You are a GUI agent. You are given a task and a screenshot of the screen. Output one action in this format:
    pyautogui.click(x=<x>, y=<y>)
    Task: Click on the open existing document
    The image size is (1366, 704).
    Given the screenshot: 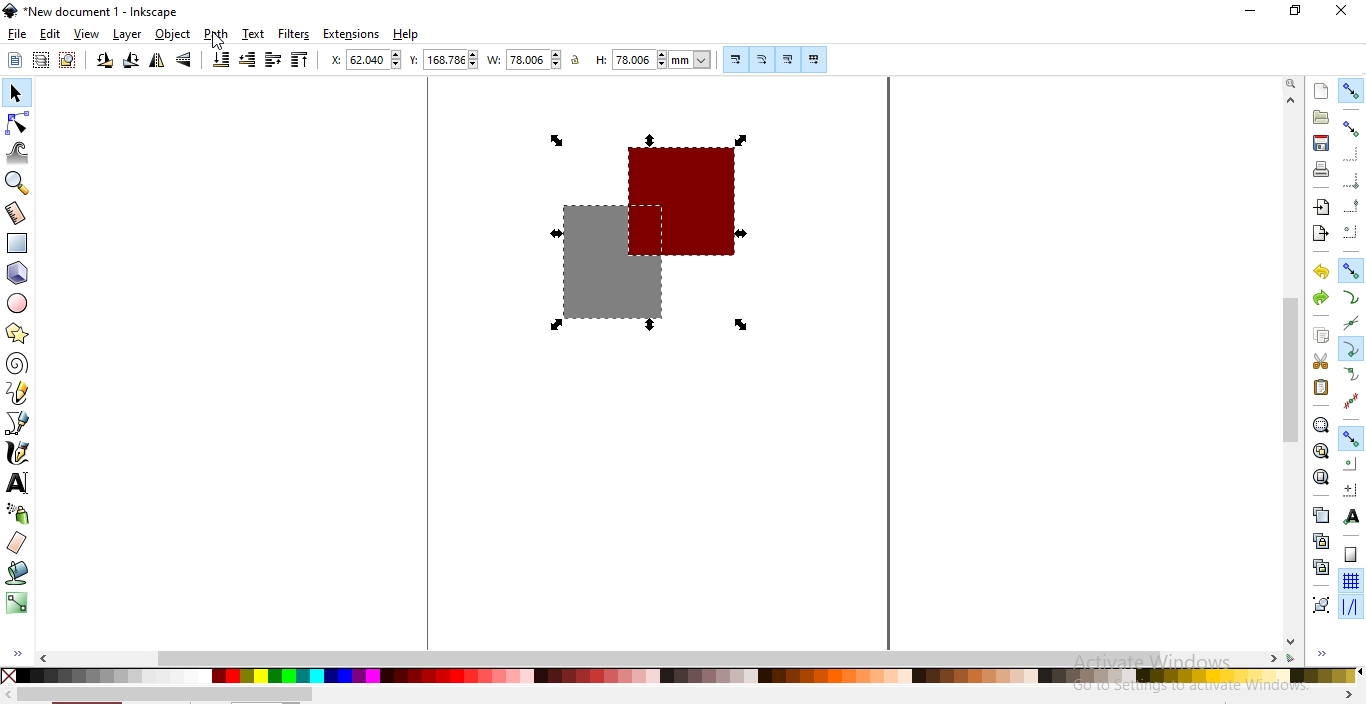 What is the action you would take?
    pyautogui.click(x=1321, y=117)
    